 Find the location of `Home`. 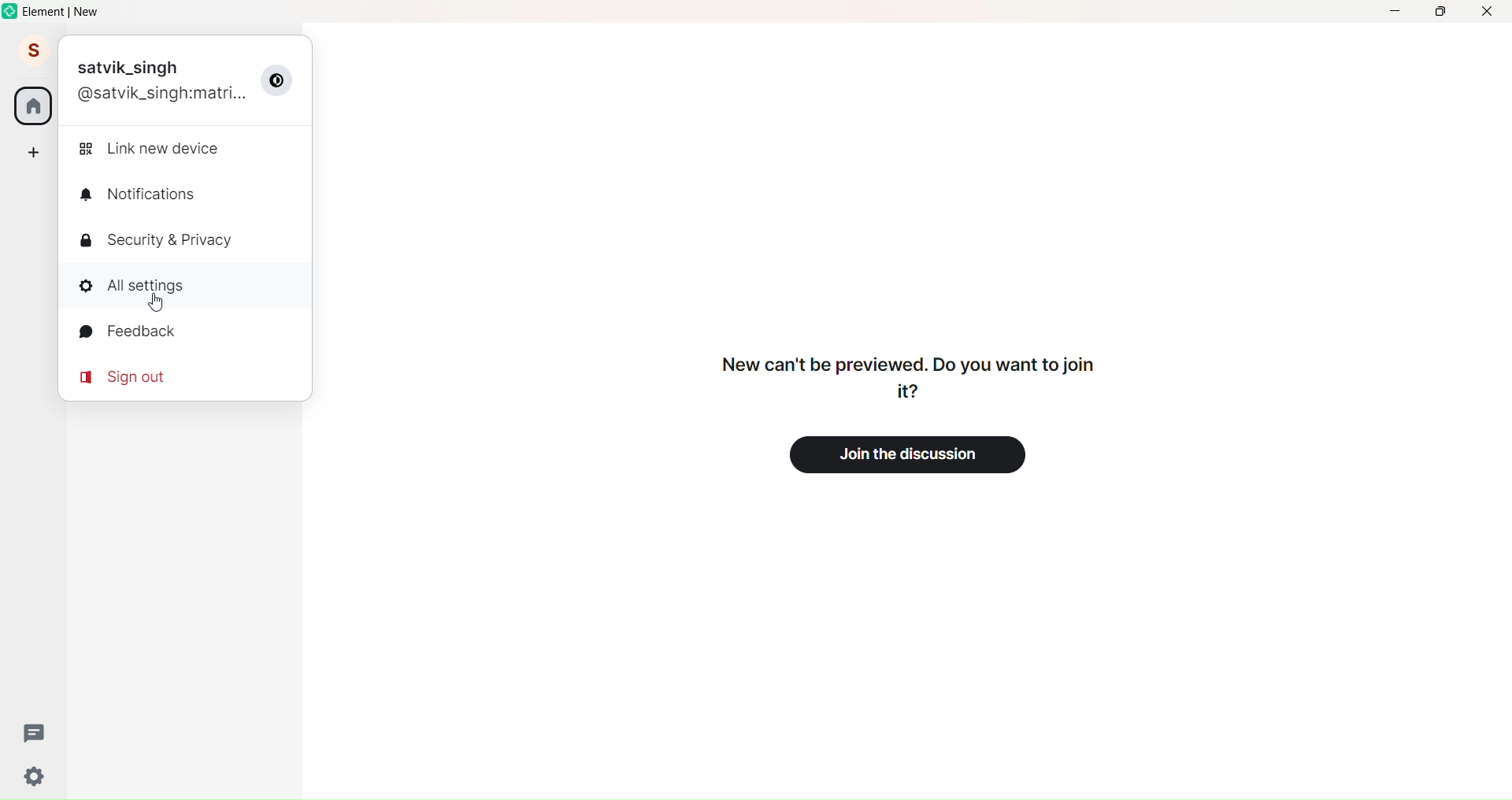

Home is located at coordinates (33, 106).